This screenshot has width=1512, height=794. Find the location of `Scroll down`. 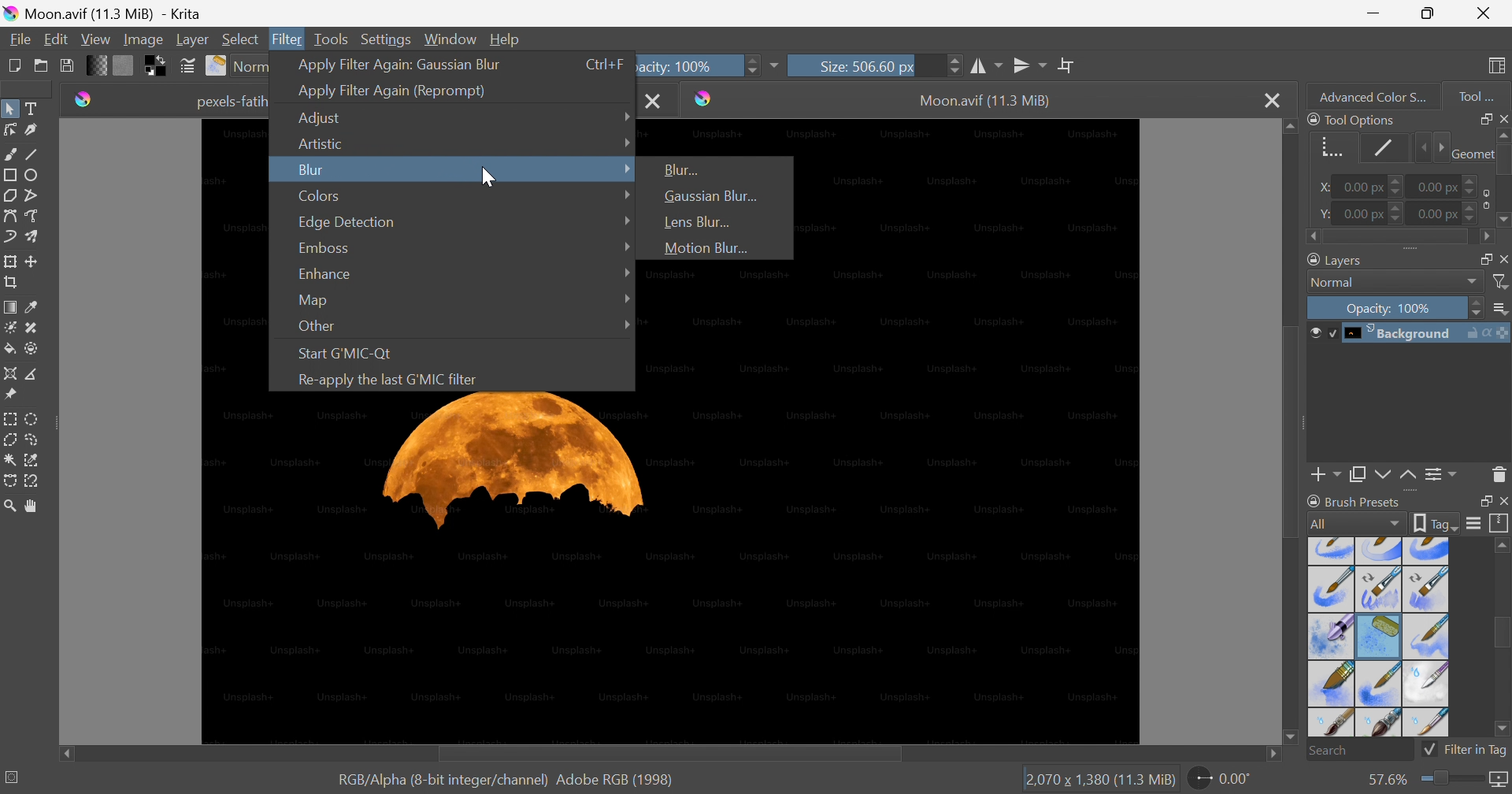

Scroll down is located at coordinates (1503, 222).